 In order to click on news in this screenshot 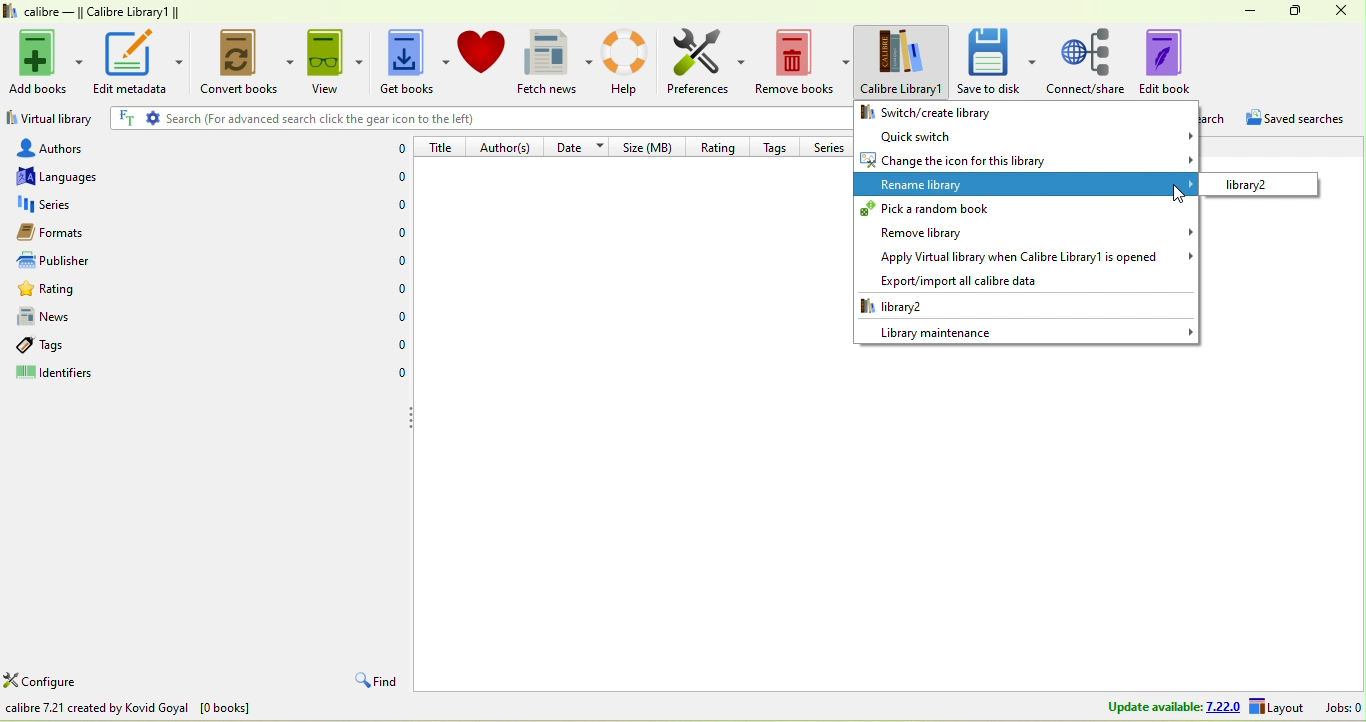, I will do `click(84, 317)`.